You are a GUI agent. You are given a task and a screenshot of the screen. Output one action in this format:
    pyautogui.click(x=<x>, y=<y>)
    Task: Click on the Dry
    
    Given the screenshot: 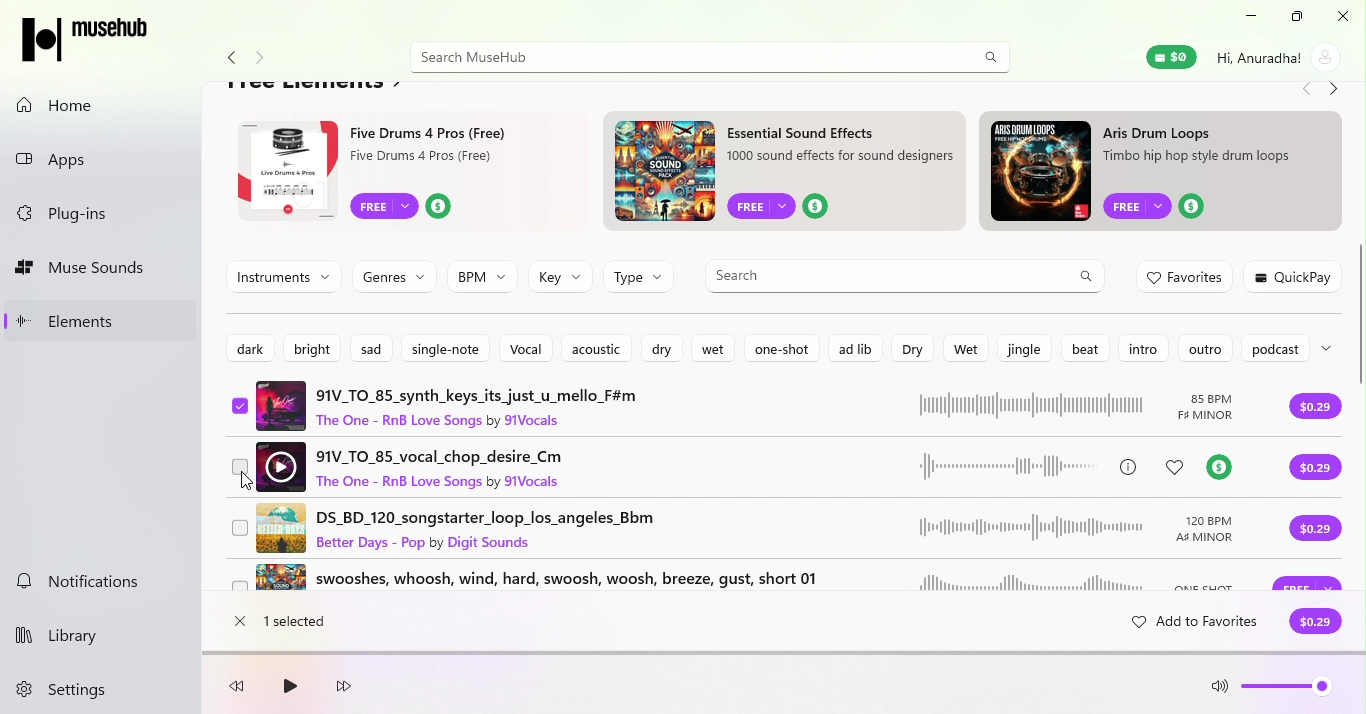 What is the action you would take?
    pyautogui.click(x=910, y=349)
    